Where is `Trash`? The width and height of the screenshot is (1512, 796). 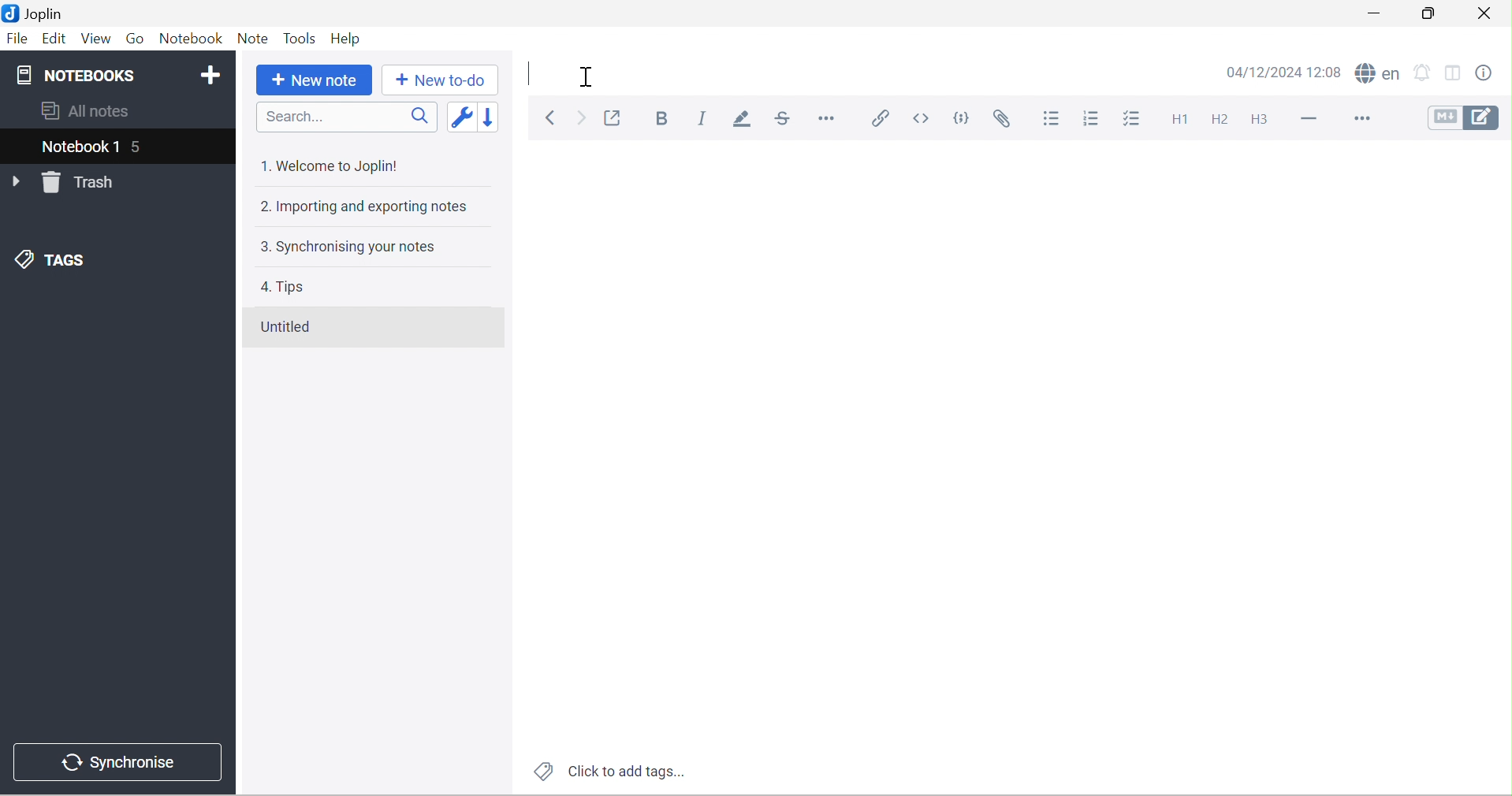 Trash is located at coordinates (84, 183).